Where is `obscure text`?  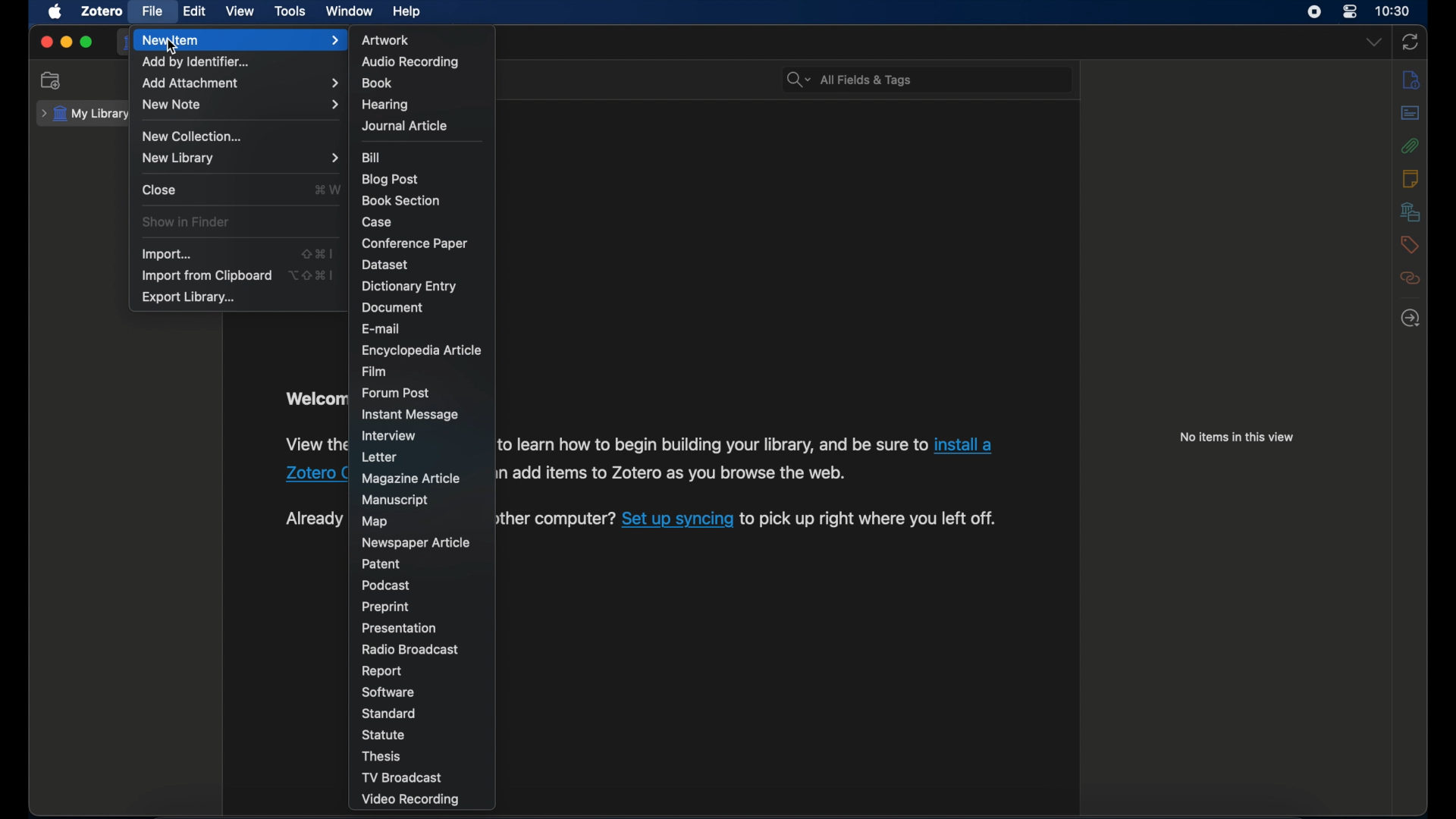
obscure text is located at coordinates (313, 396).